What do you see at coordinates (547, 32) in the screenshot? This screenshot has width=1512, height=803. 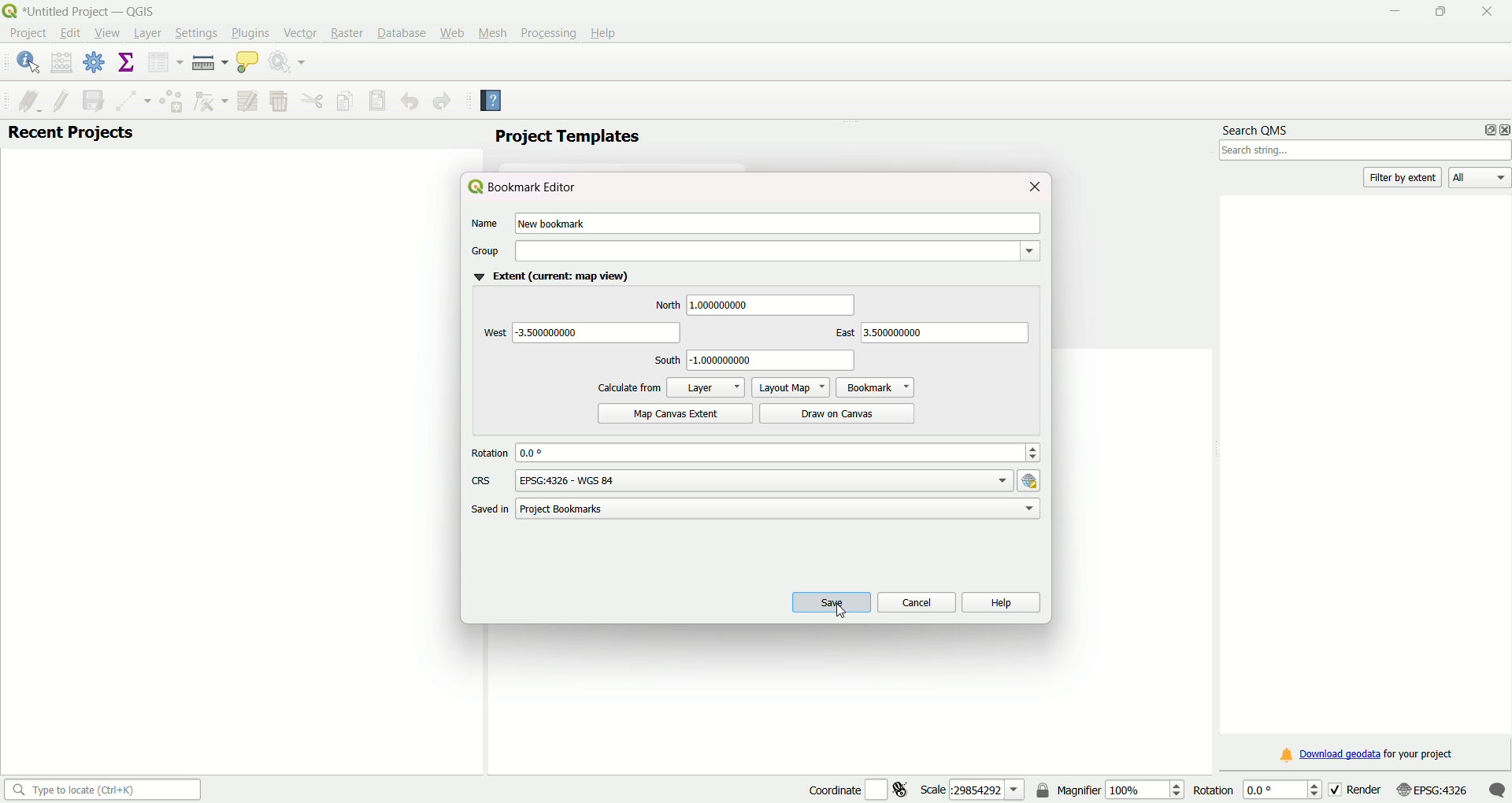 I see `Processing` at bounding box center [547, 32].